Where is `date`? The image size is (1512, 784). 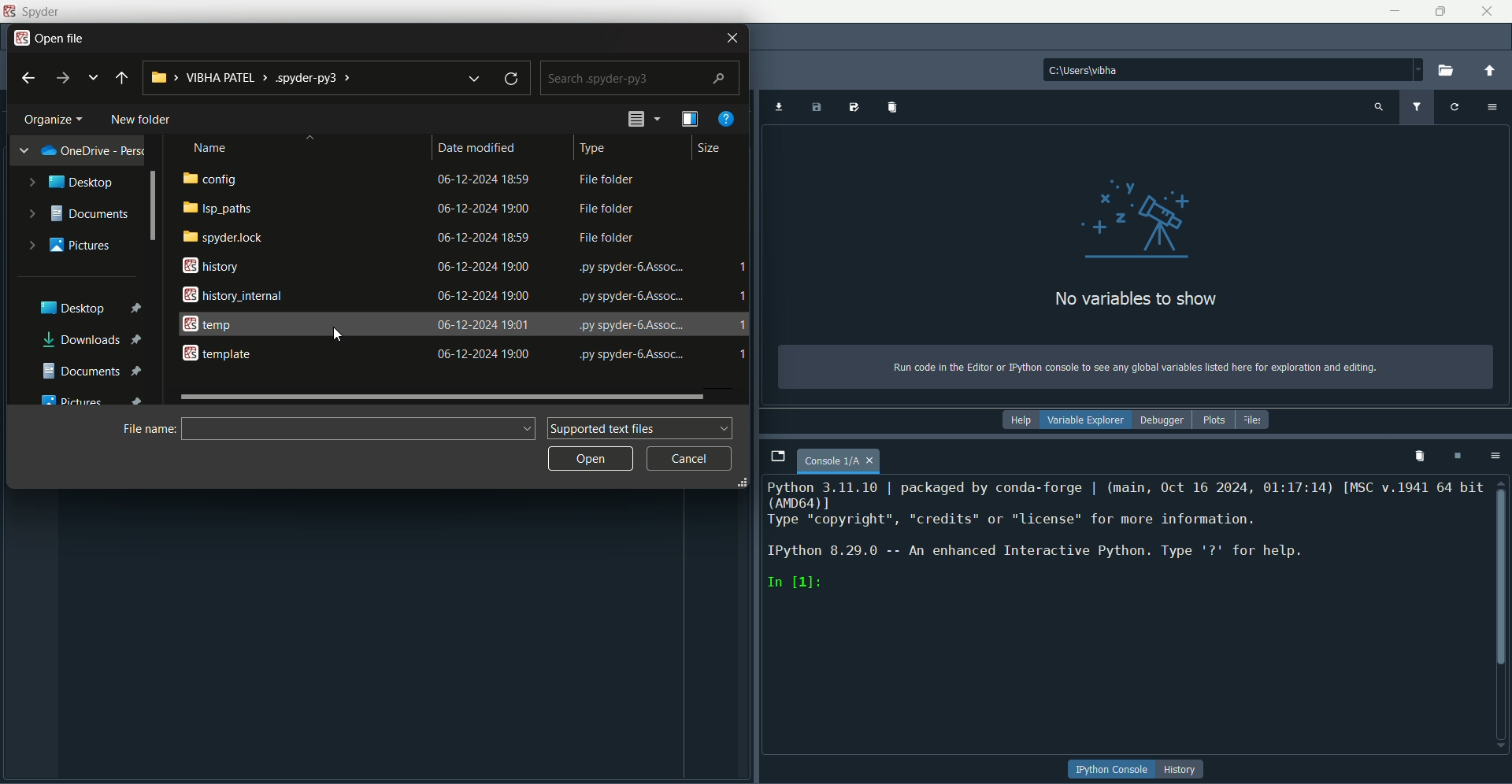 date is located at coordinates (483, 267).